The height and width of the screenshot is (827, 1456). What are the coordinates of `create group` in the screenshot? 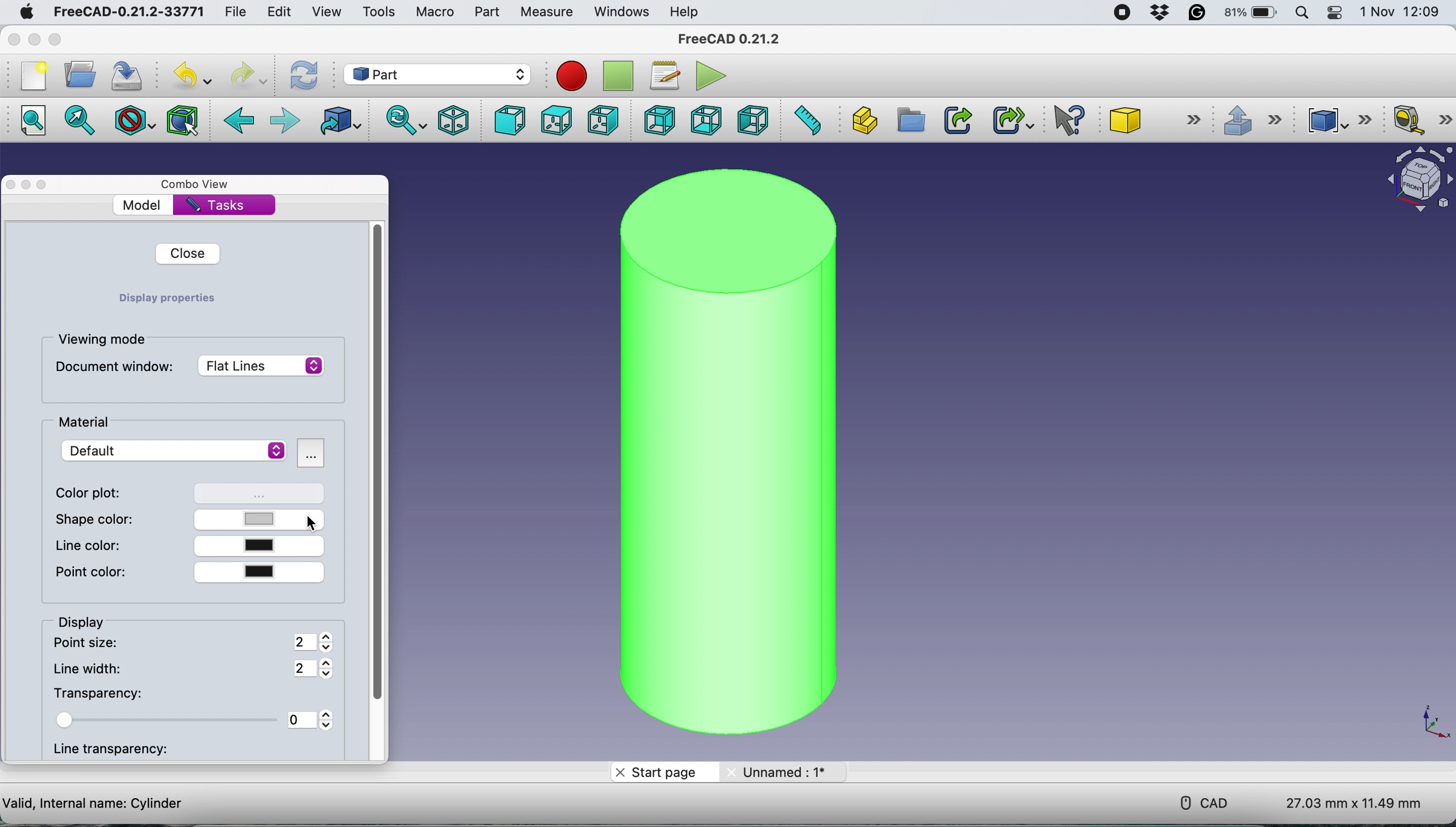 It's located at (909, 120).